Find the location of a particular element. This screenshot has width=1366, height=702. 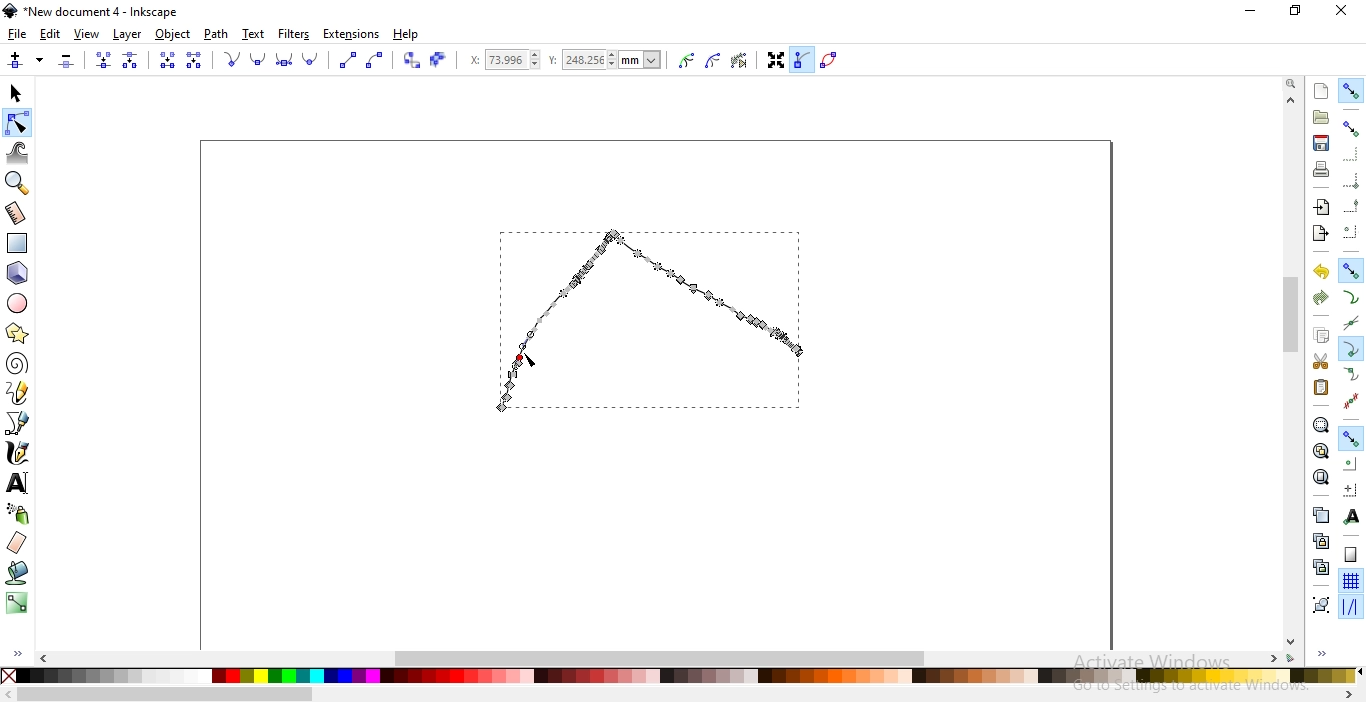

object is located at coordinates (173, 34).